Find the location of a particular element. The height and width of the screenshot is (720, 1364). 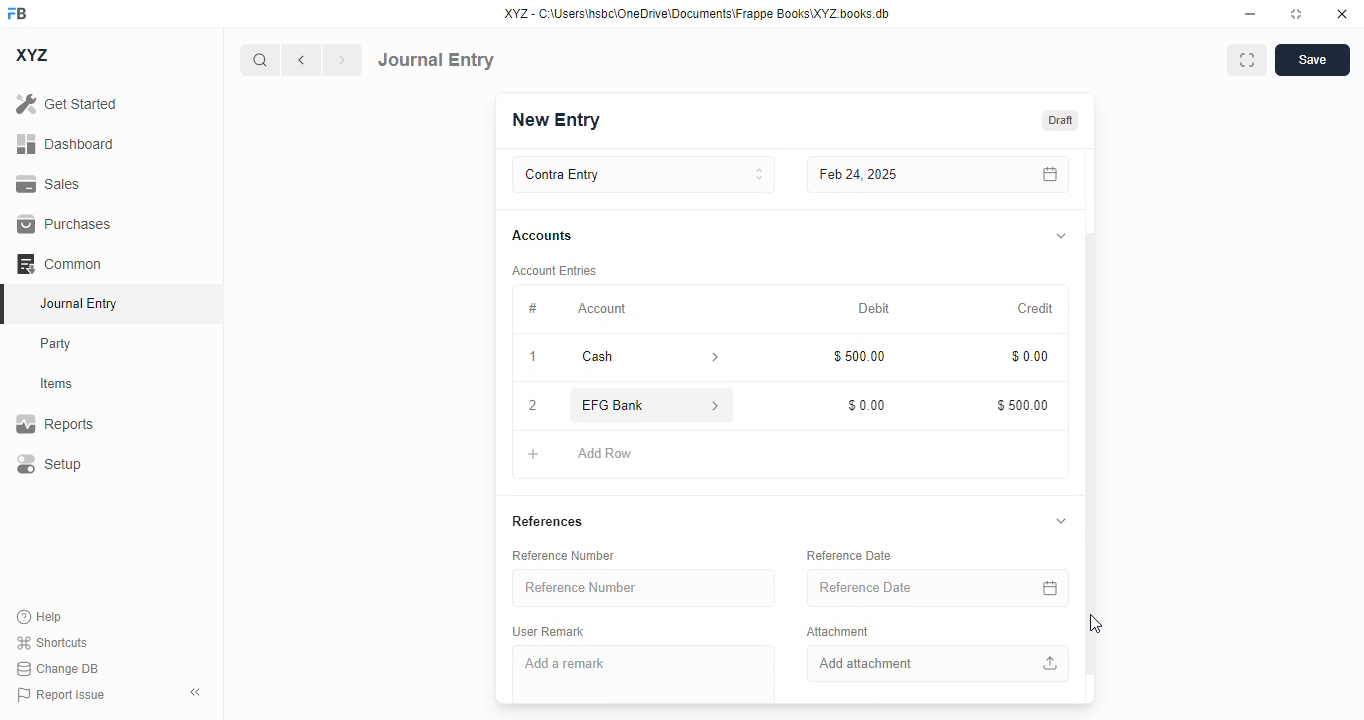

reports is located at coordinates (55, 423).